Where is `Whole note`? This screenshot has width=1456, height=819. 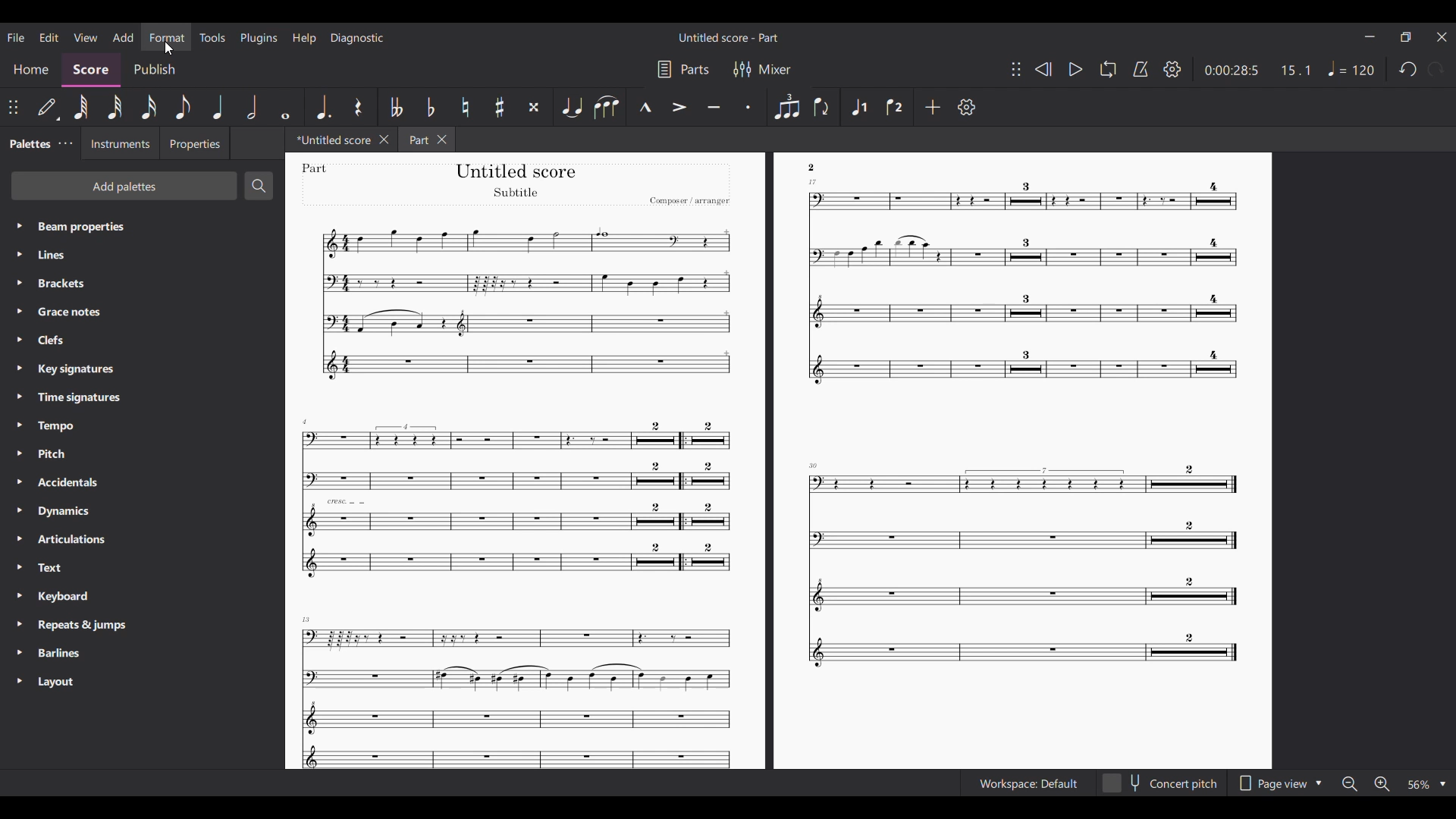 Whole note is located at coordinates (287, 107).